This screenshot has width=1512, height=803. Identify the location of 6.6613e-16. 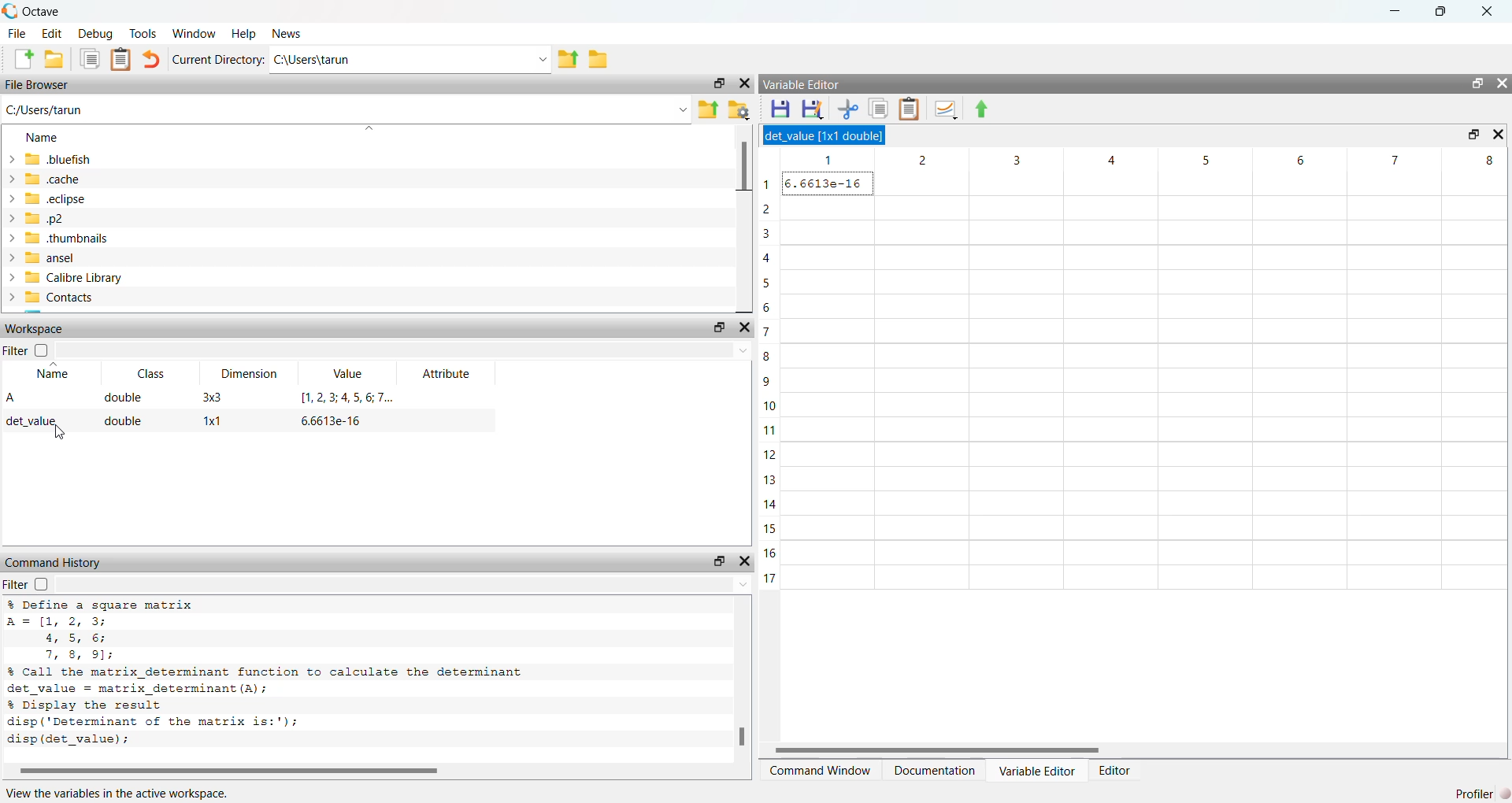
(328, 422).